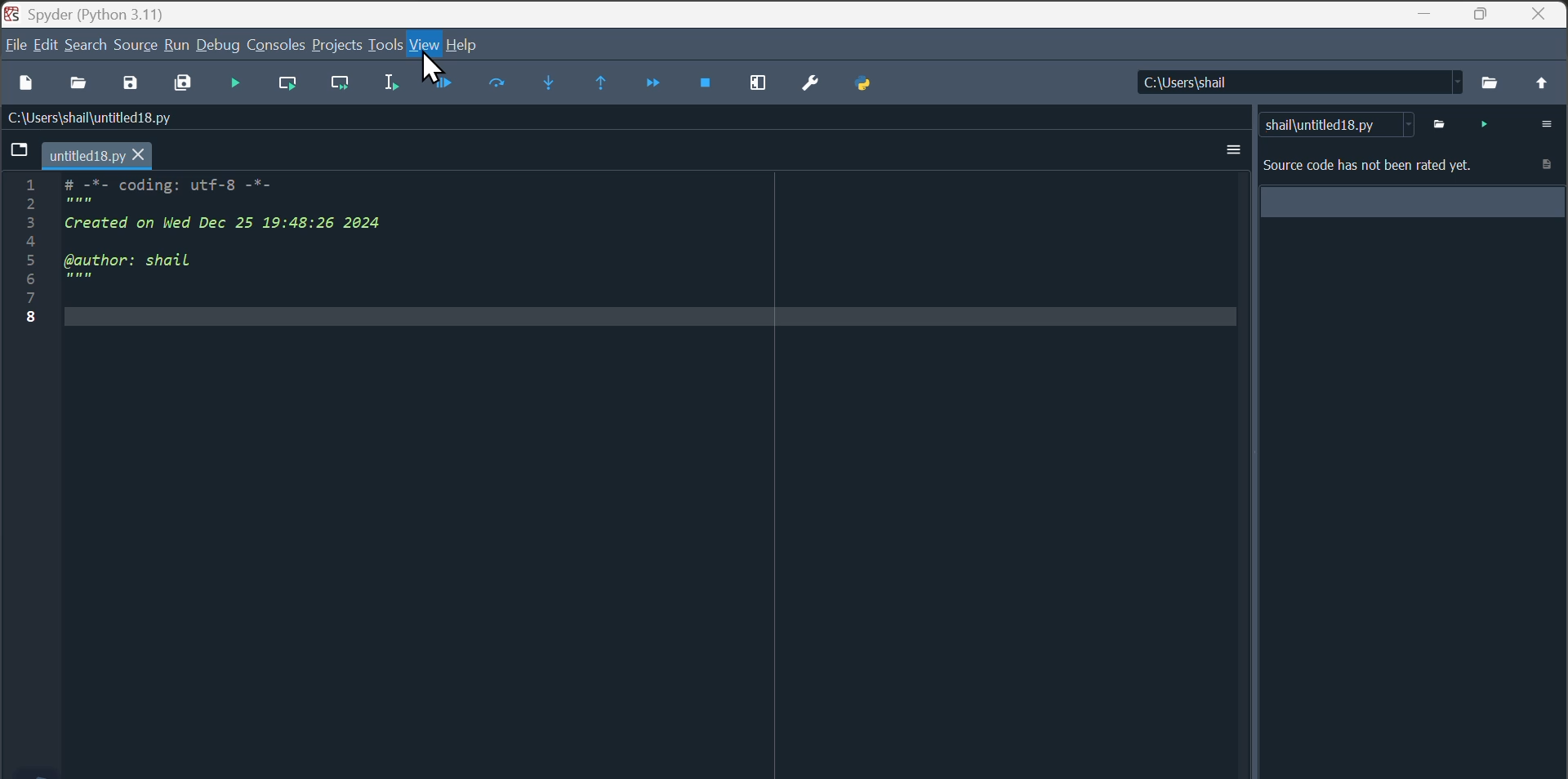 This screenshot has height=779, width=1568. I want to click on file tab, so click(81, 156).